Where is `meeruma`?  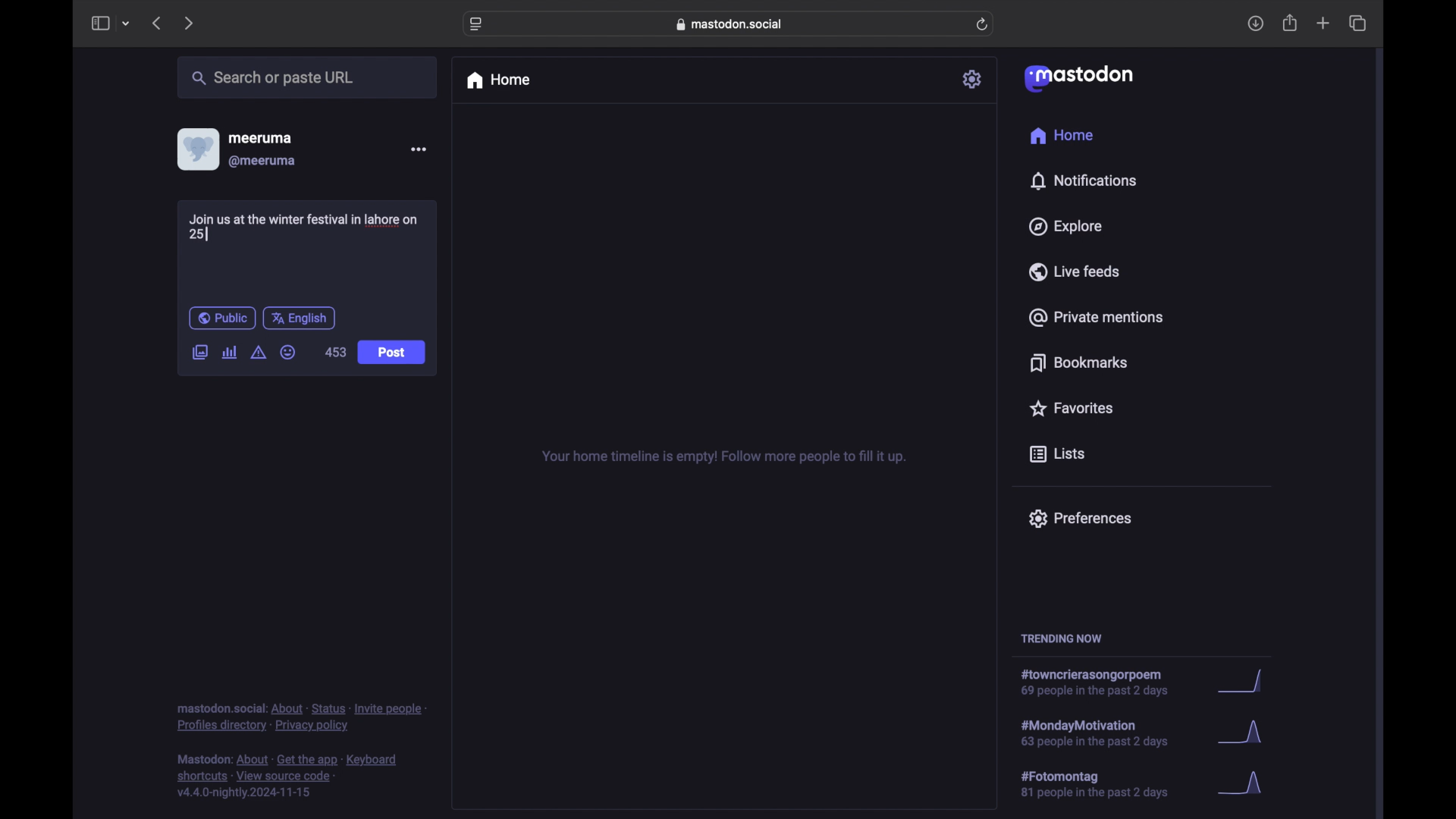
meeruma is located at coordinates (260, 137).